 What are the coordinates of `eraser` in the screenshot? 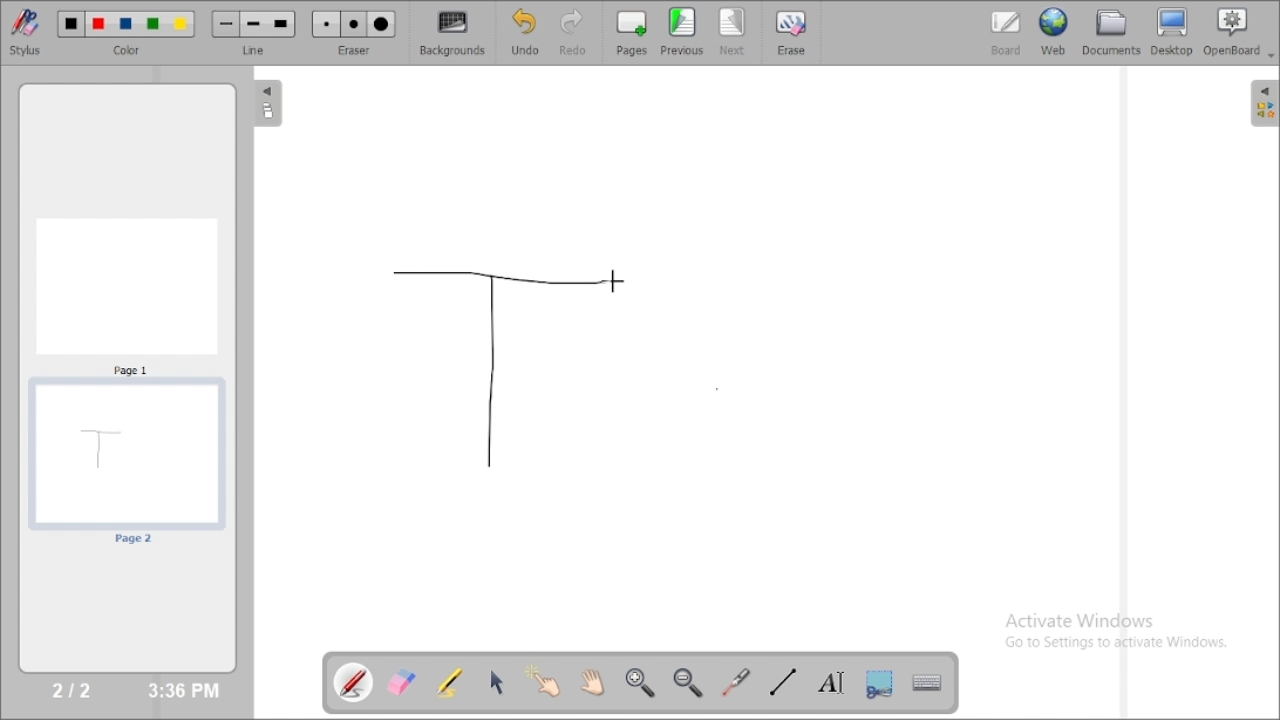 It's located at (354, 50).